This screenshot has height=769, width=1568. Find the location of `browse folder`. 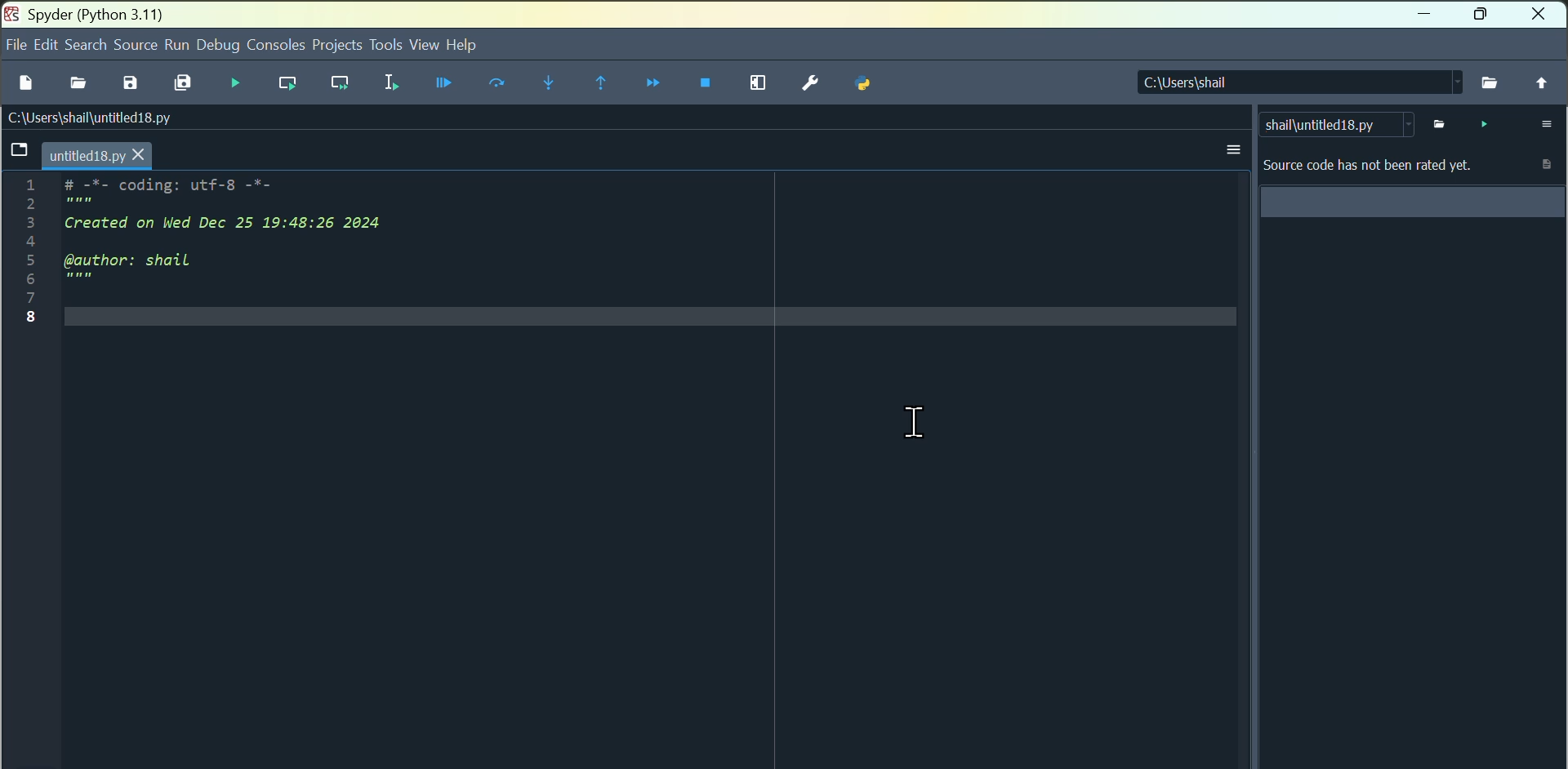

browse folder is located at coordinates (1490, 82).